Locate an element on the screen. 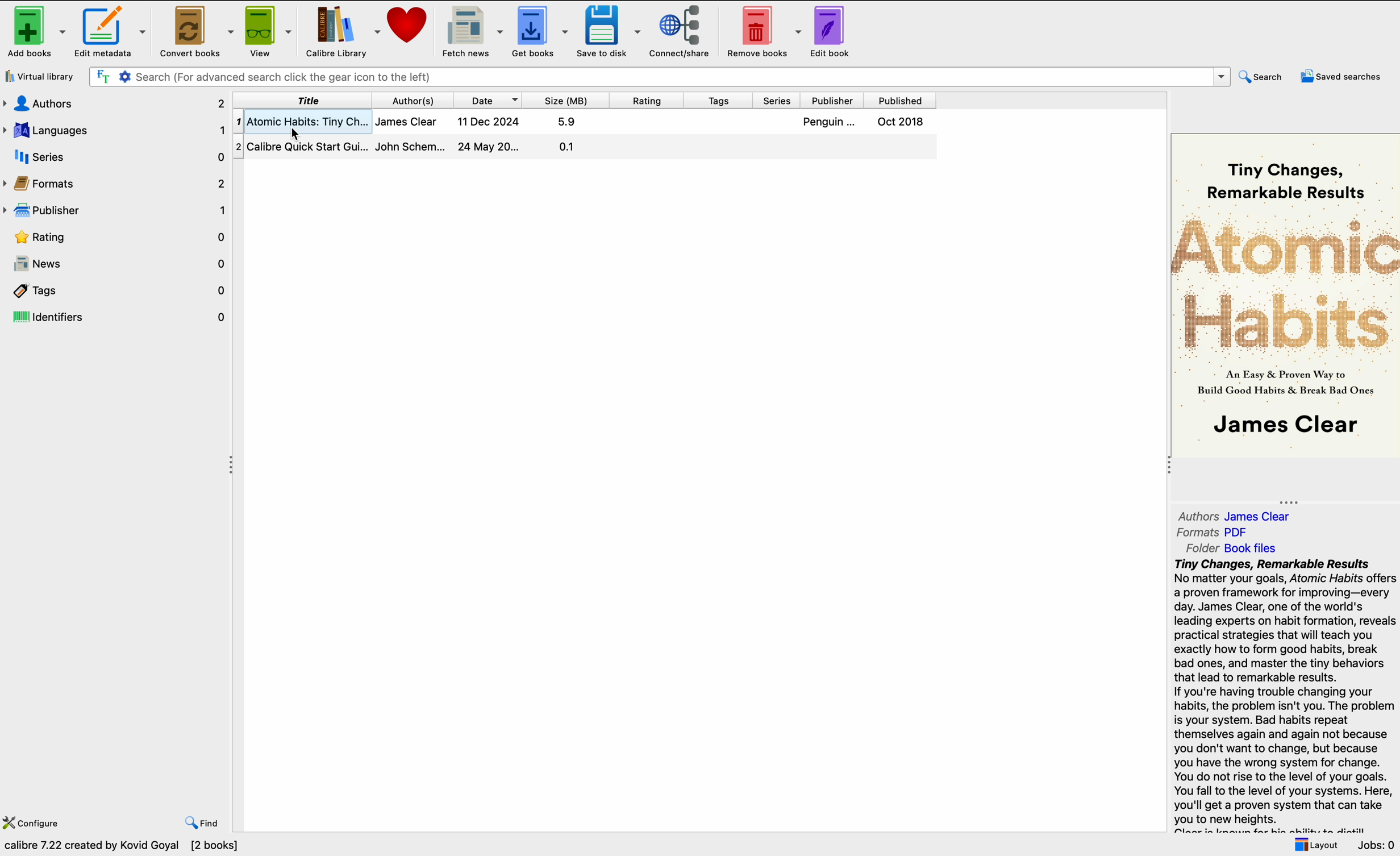 The width and height of the screenshot is (1400, 856). fetch news is located at coordinates (475, 31).